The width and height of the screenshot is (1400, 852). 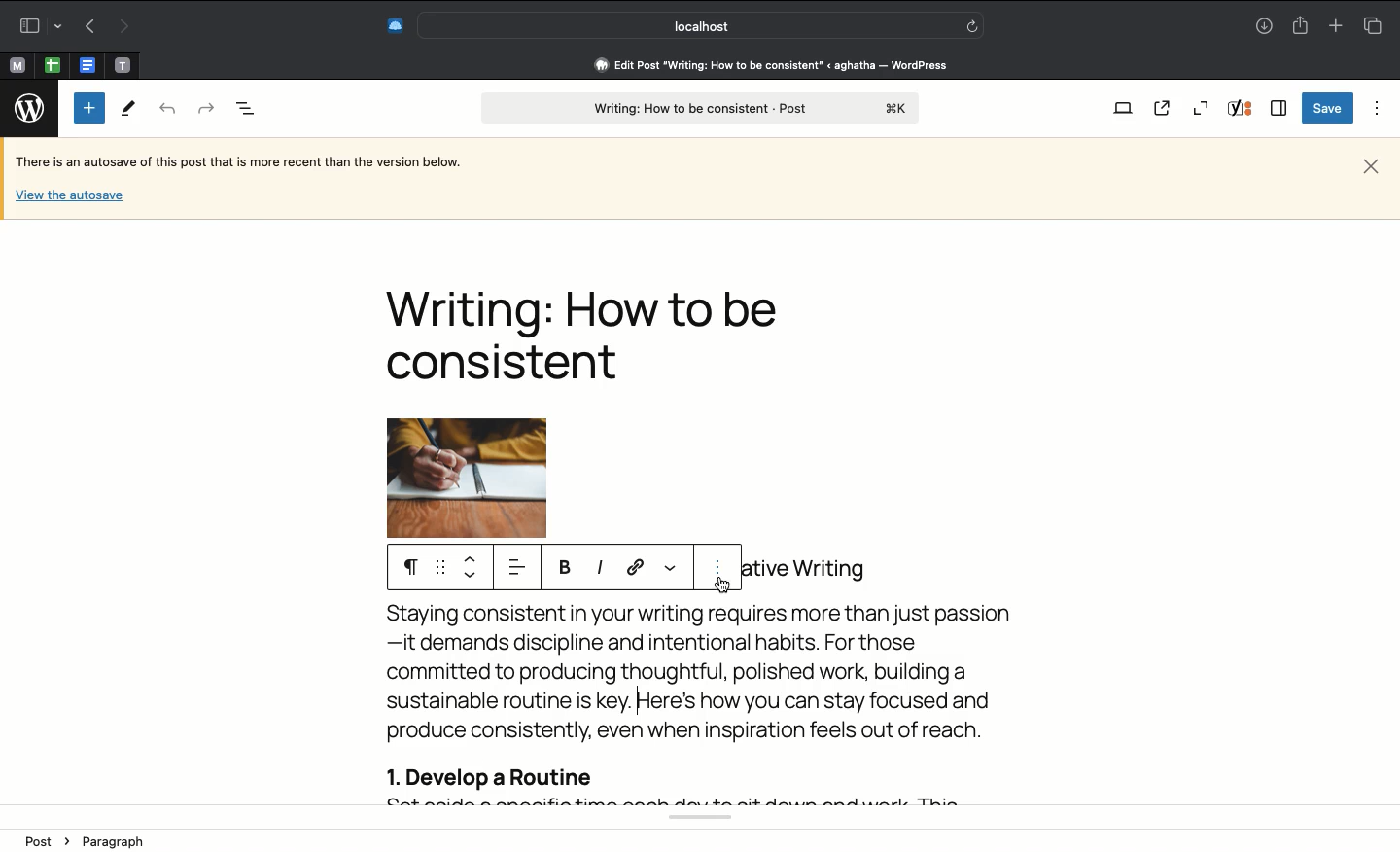 I want to click on Add new block, so click(x=89, y=108).